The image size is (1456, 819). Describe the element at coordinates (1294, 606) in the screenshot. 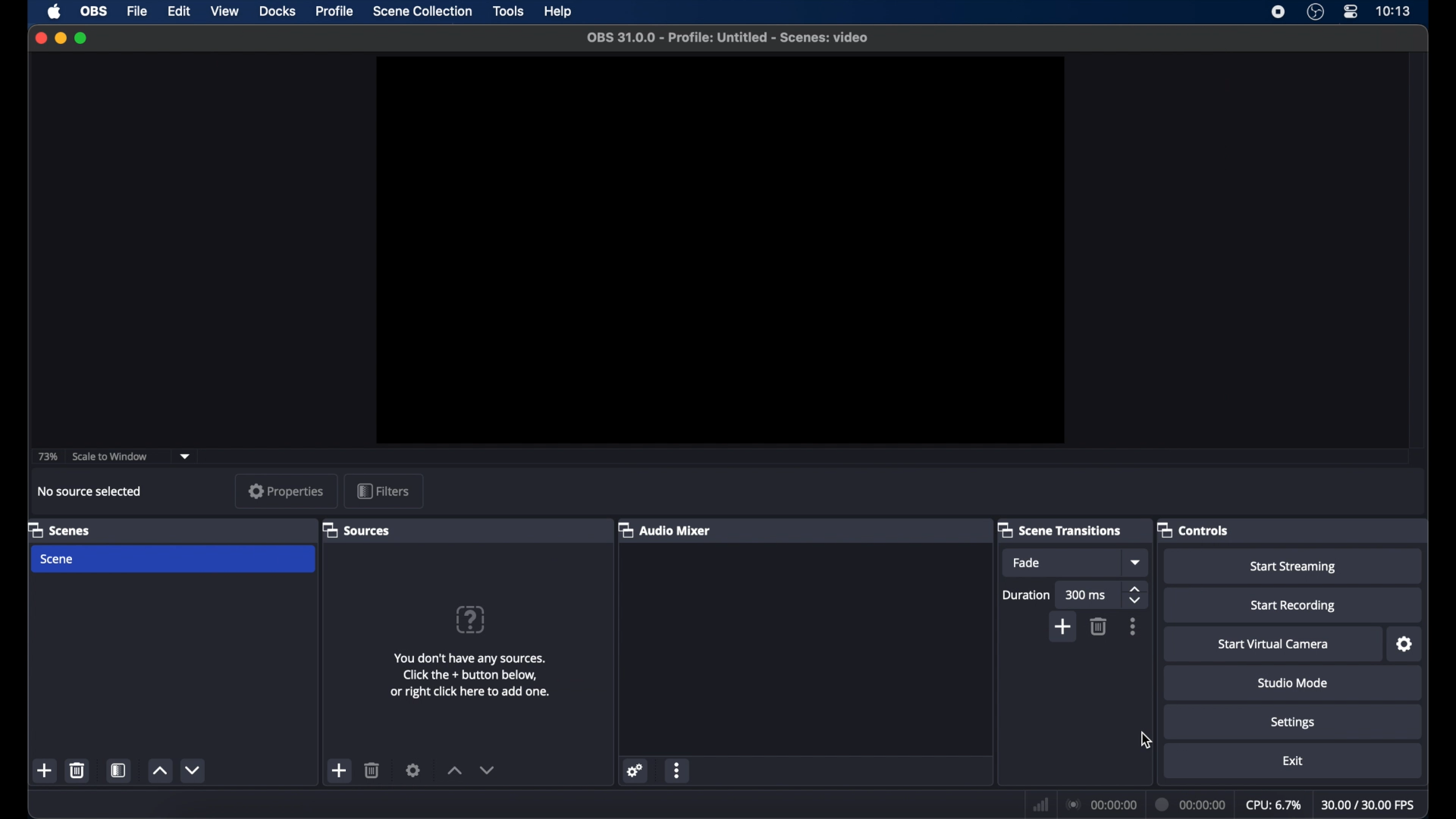

I see `start recording` at that location.